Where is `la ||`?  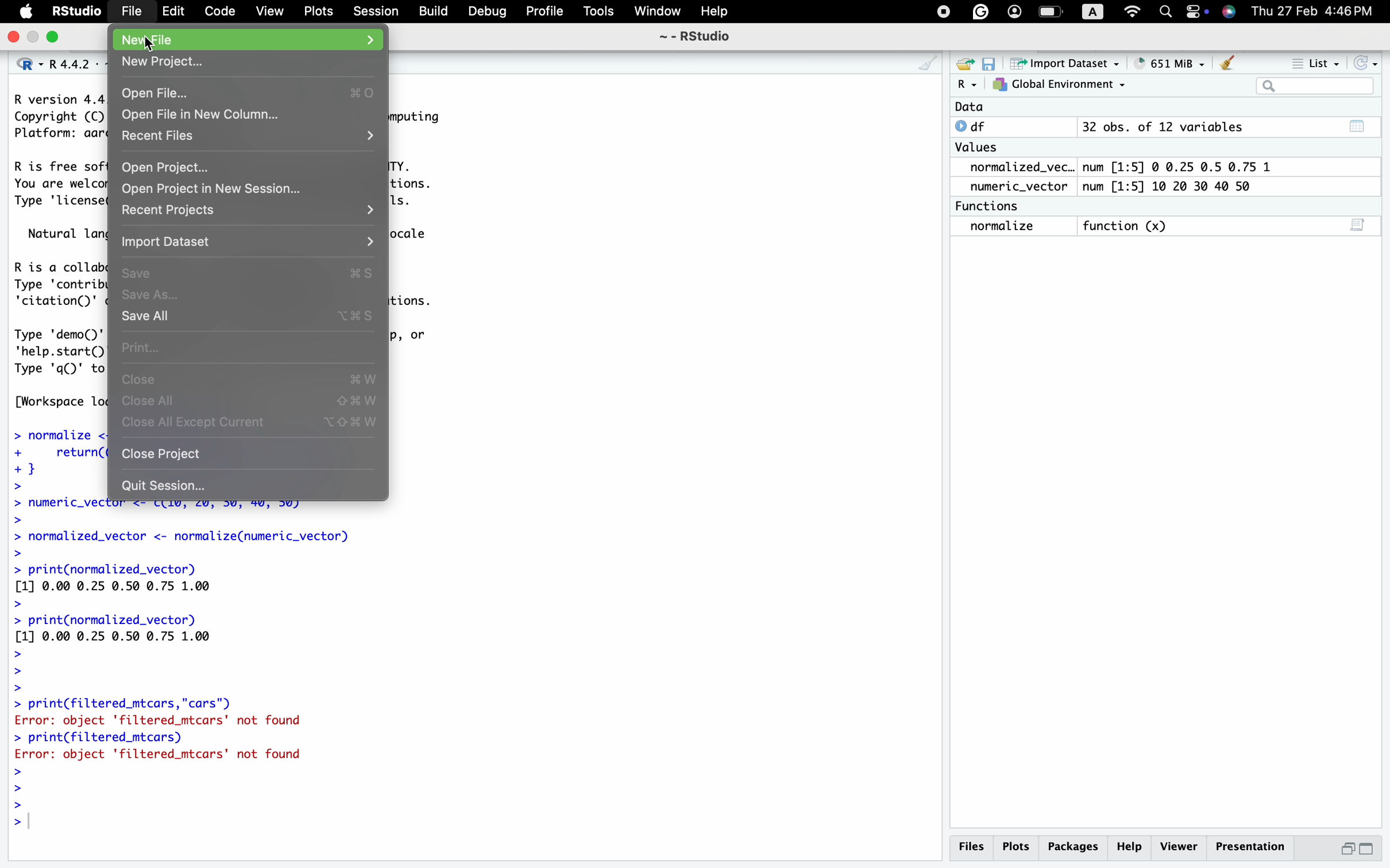
la || is located at coordinates (1316, 86).